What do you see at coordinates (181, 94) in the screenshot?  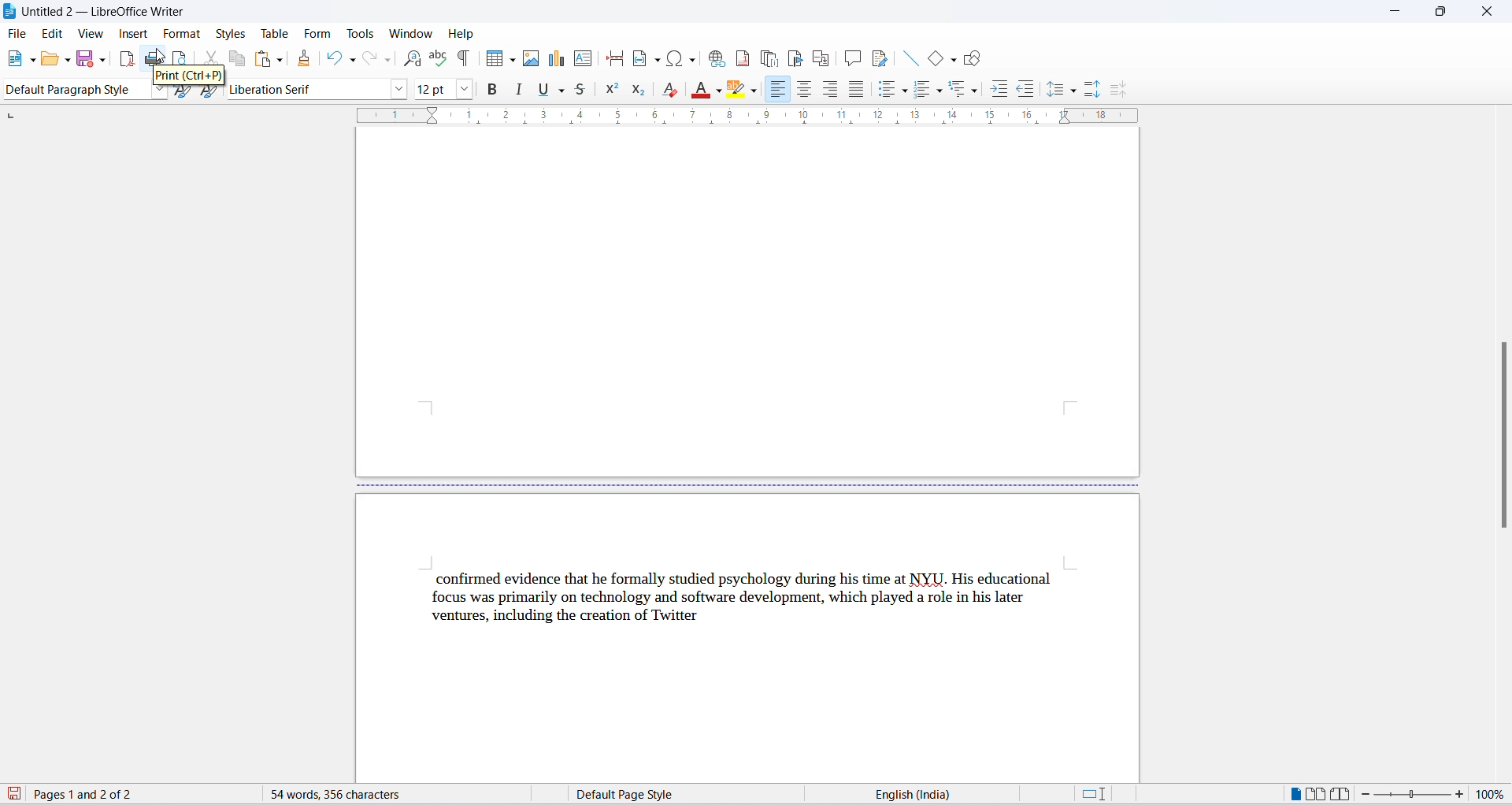 I see `update selected style` at bounding box center [181, 94].